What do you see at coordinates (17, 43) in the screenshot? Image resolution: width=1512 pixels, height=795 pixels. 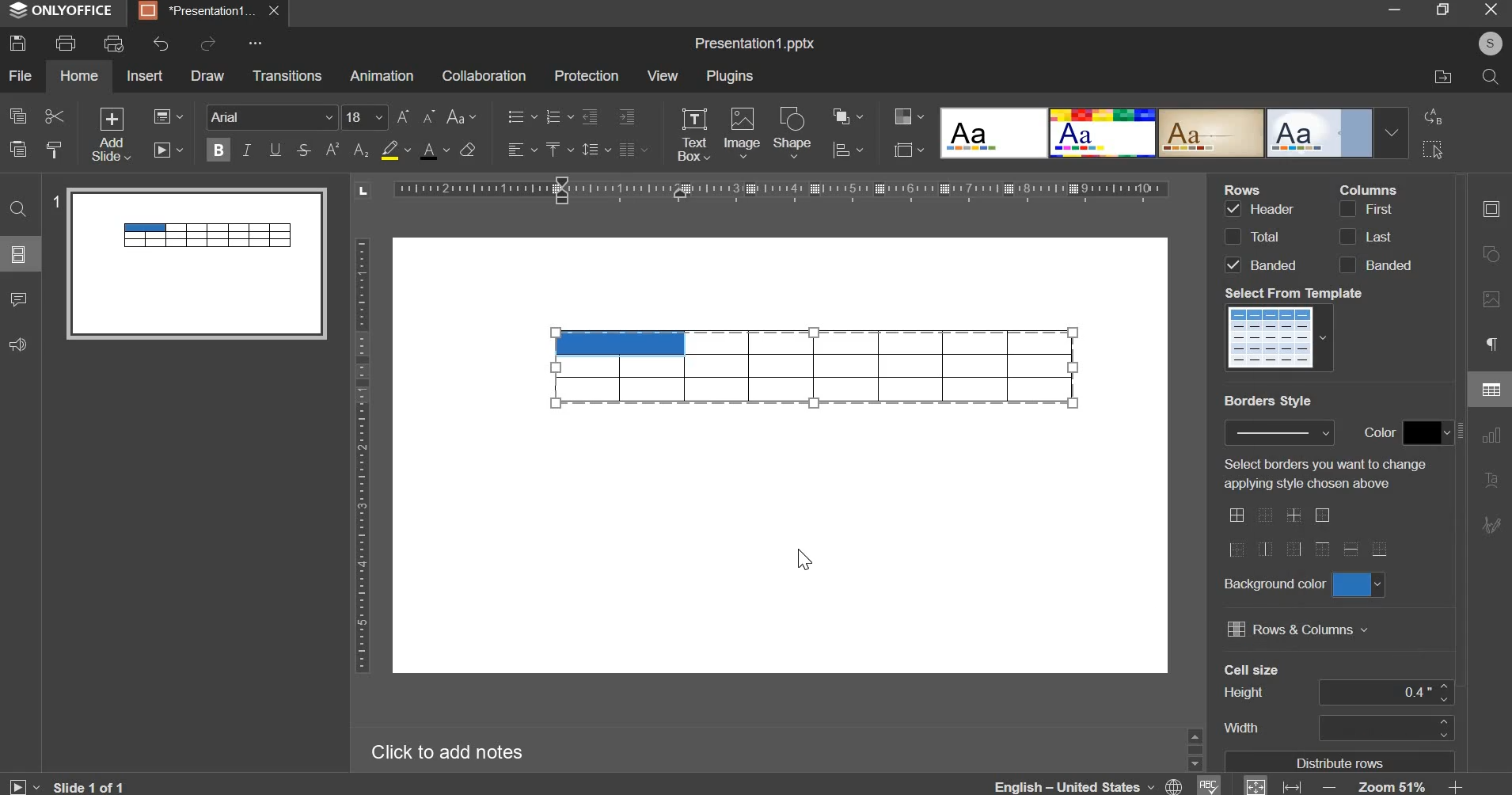 I see `save` at bounding box center [17, 43].